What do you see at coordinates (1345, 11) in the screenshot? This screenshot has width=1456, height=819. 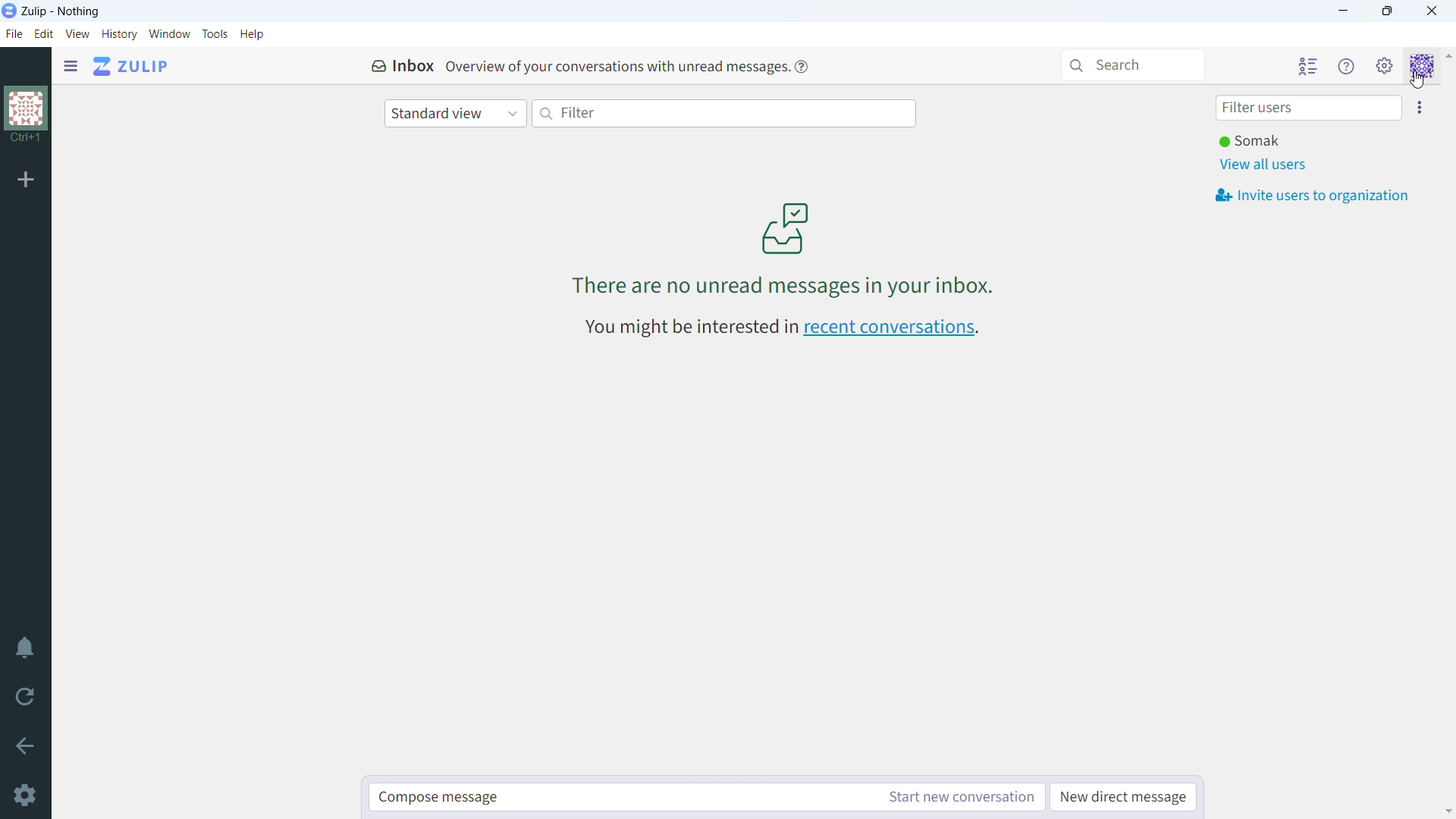 I see `minimize` at bounding box center [1345, 11].